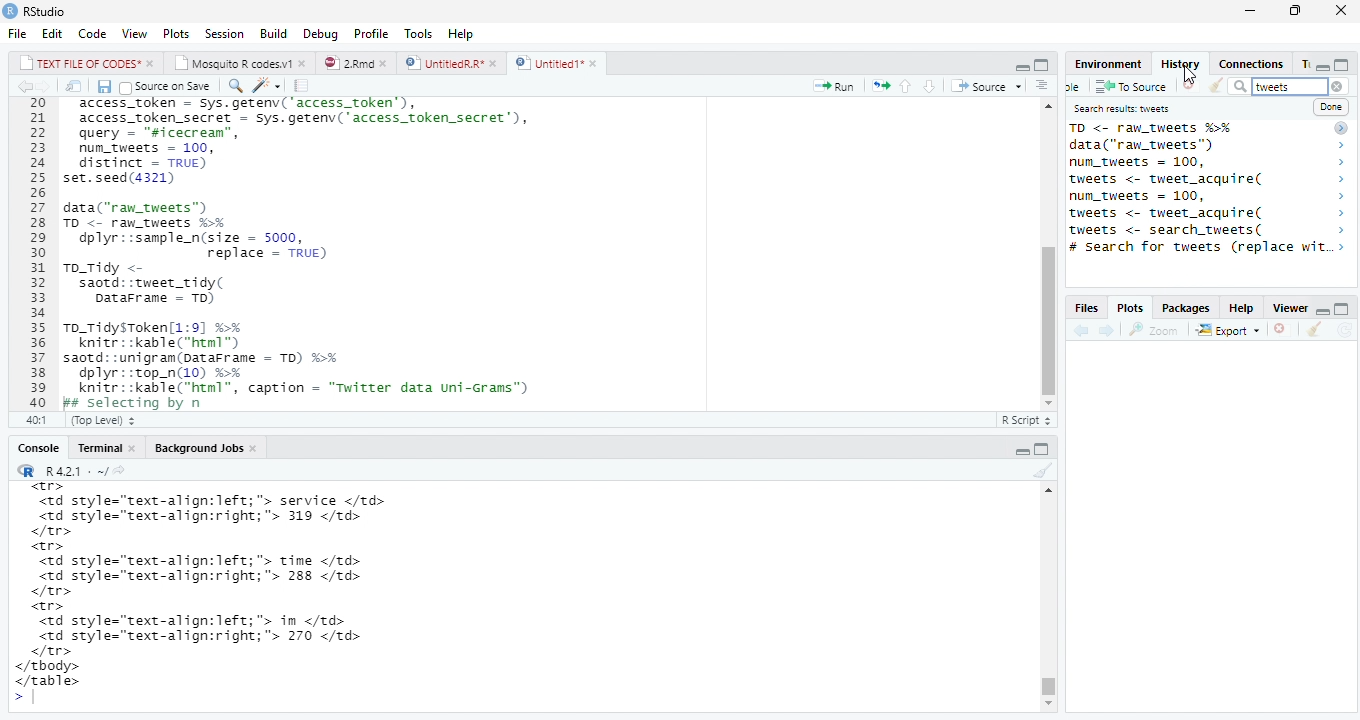 This screenshot has height=720, width=1360. What do you see at coordinates (1039, 471) in the screenshot?
I see `clear console` at bounding box center [1039, 471].